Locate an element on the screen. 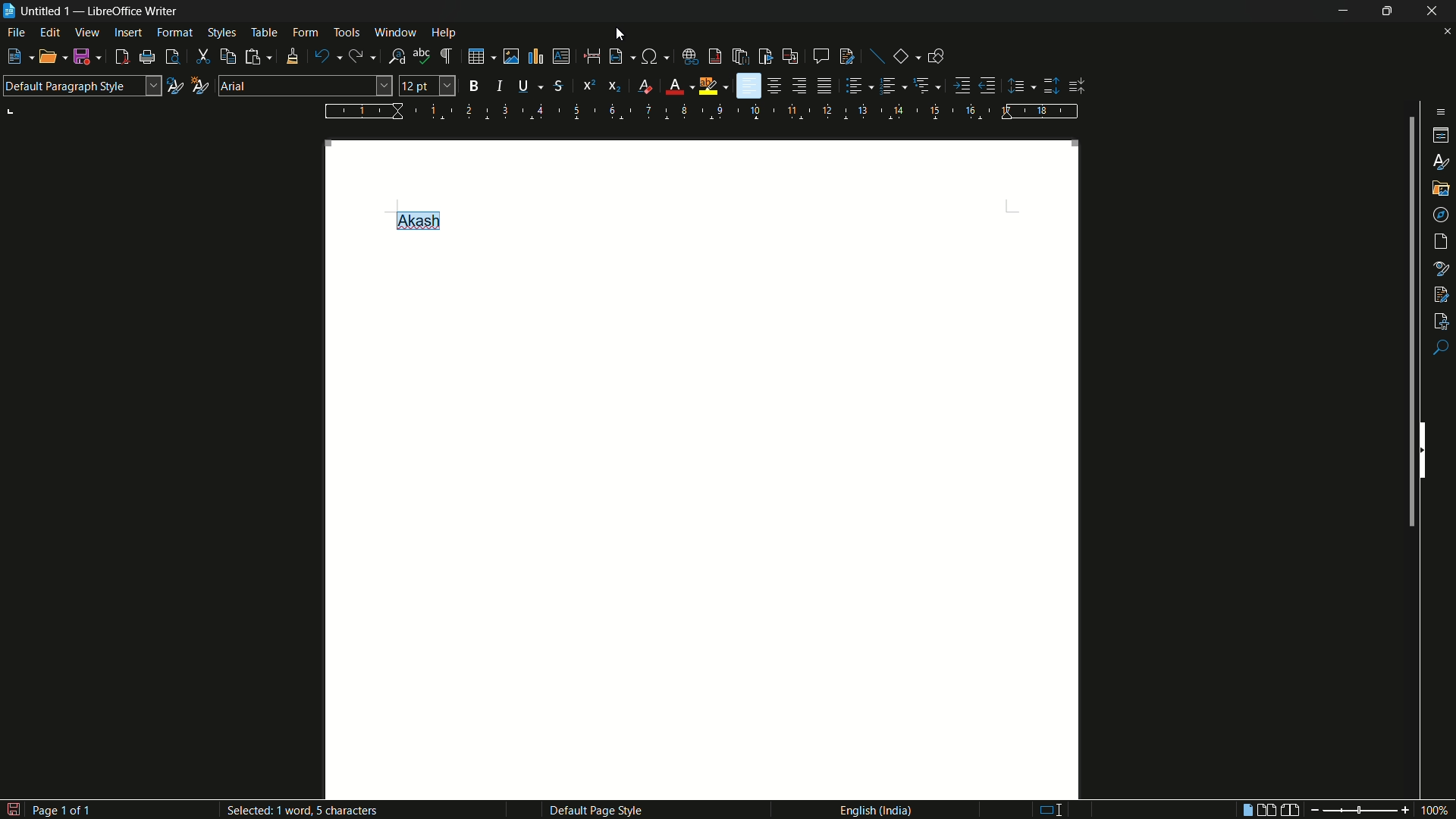 This screenshot has width=1456, height=819. increase paragraph spacing is located at coordinates (1052, 86).